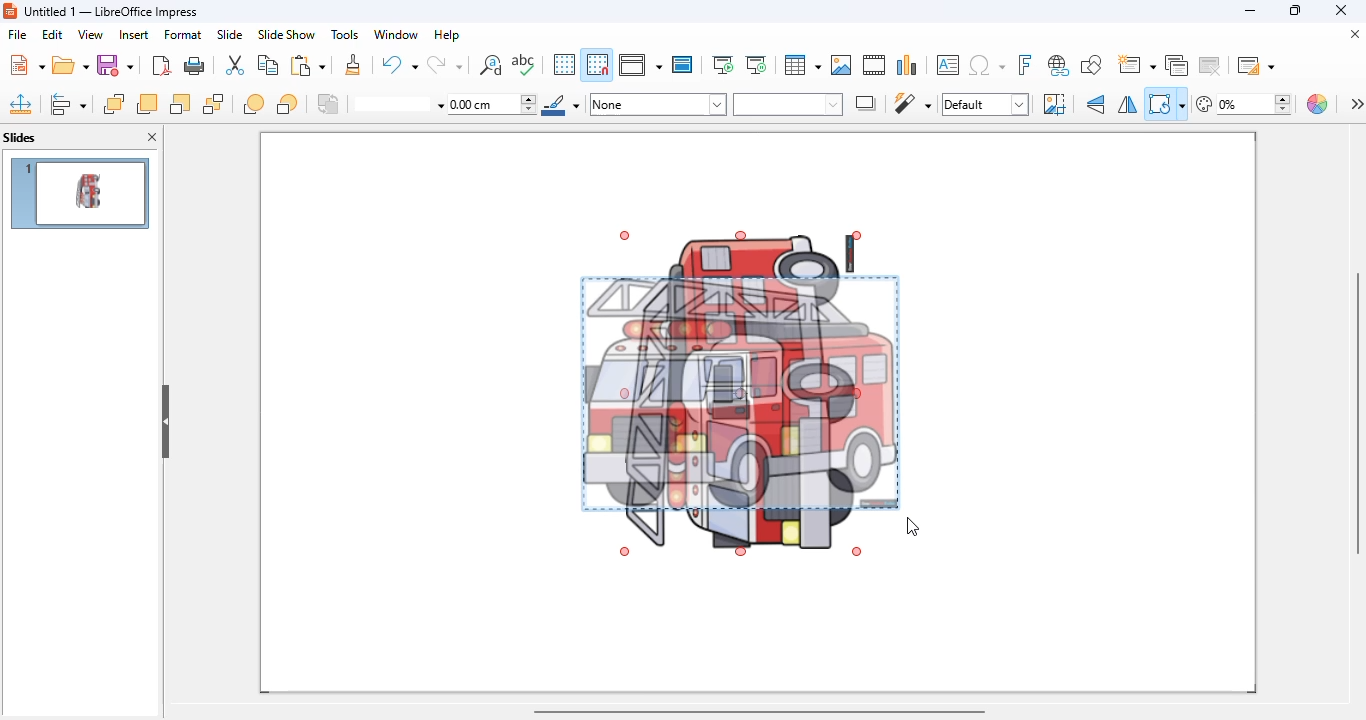 The height and width of the screenshot is (720, 1366). I want to click on insert text box, so click(947, 65).